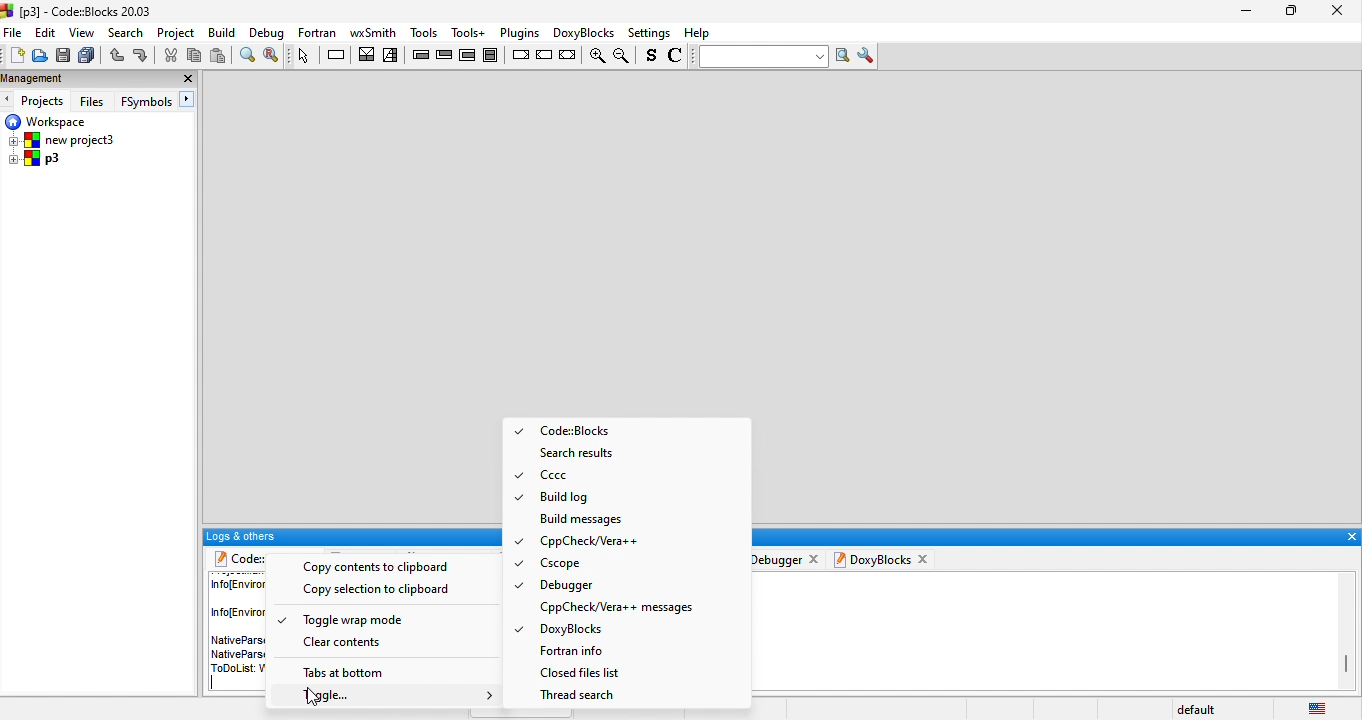  I want to click on tools, so click(423, 30).